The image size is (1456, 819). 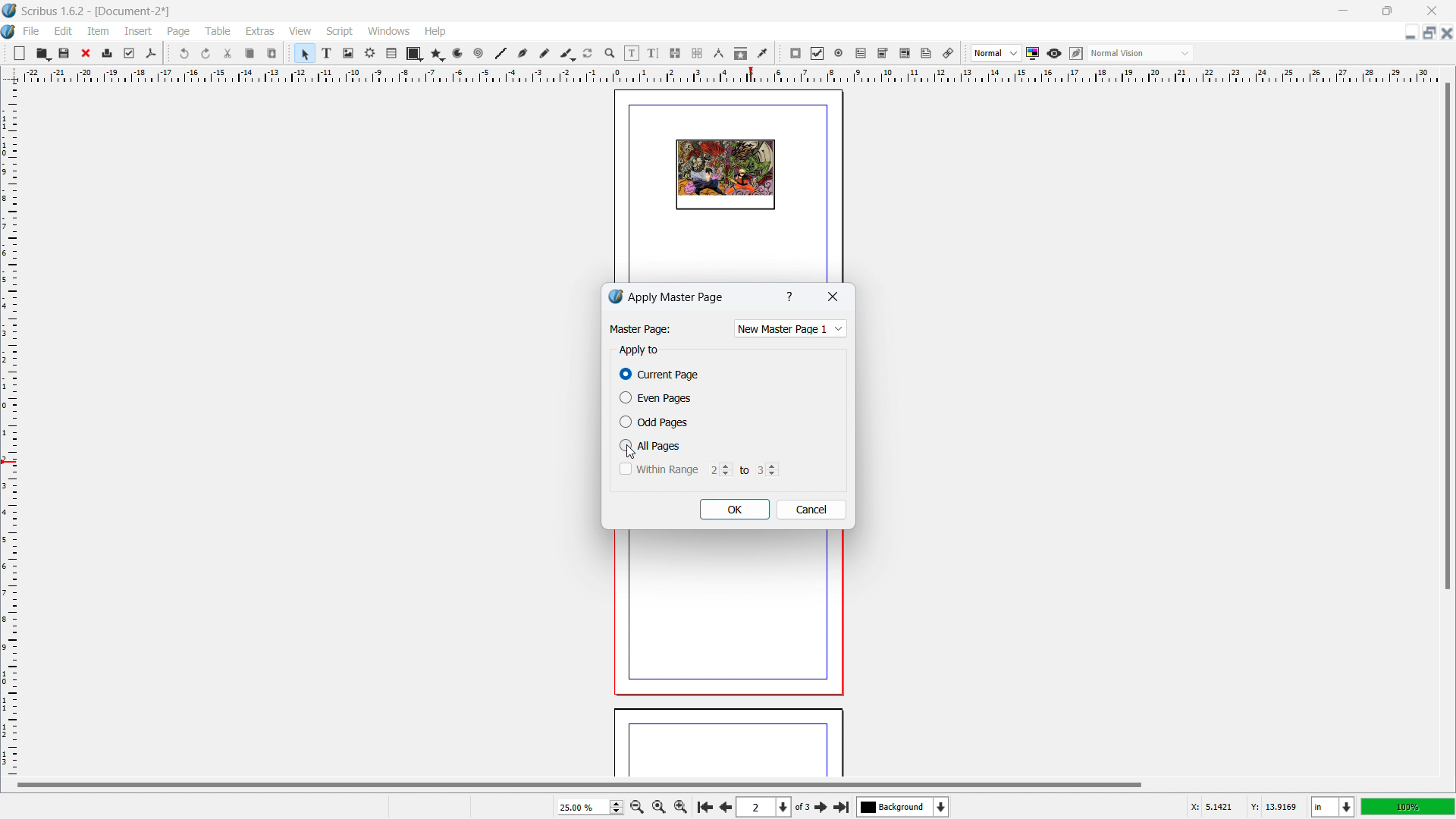 What do you see at coordinates (634, 453) in the screenshot?
I see `cursor` at bounding box center [634, 453].